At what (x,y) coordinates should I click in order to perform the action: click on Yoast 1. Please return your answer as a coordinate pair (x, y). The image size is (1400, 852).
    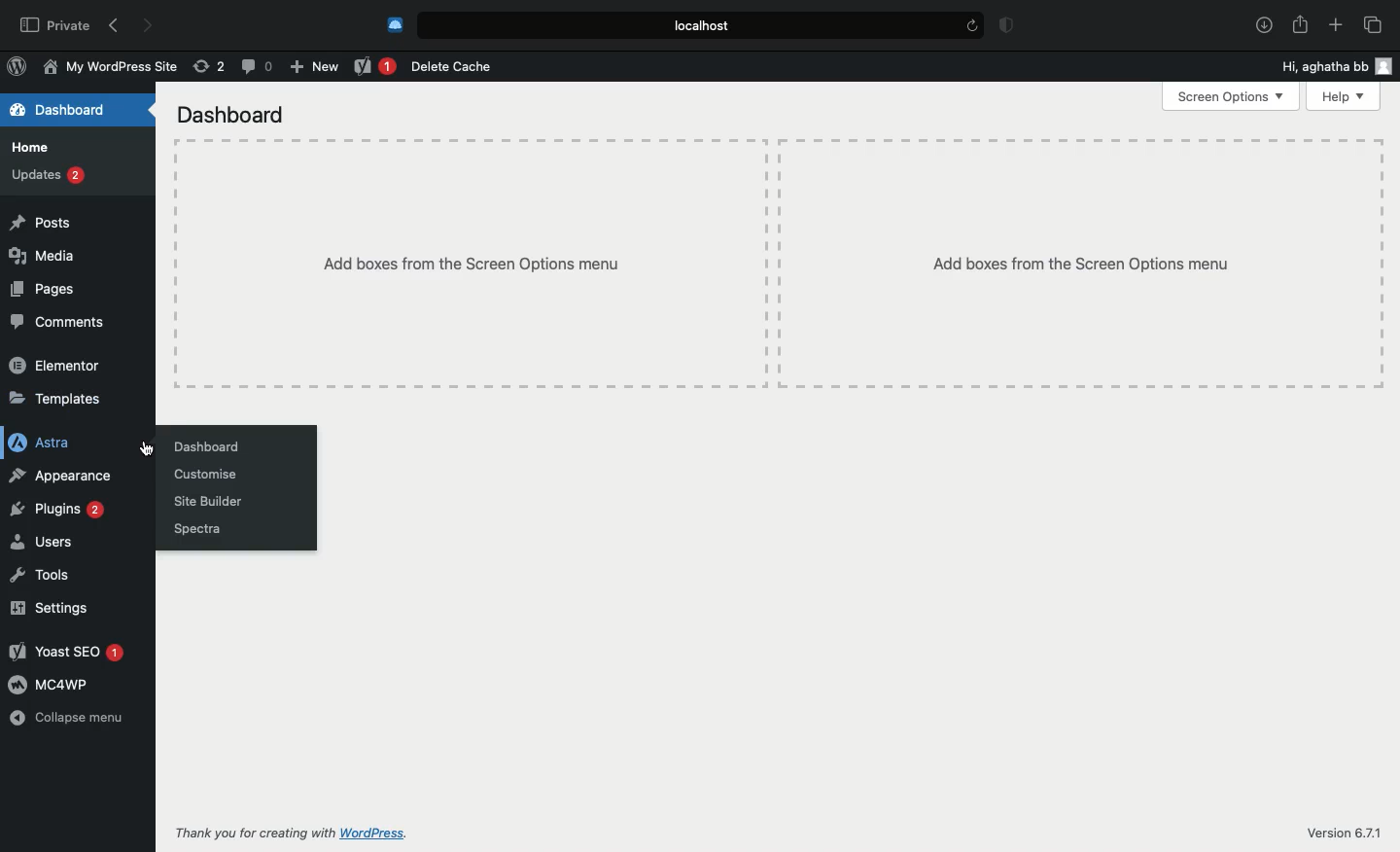
    Looking at the image, I should click on (374, 67).